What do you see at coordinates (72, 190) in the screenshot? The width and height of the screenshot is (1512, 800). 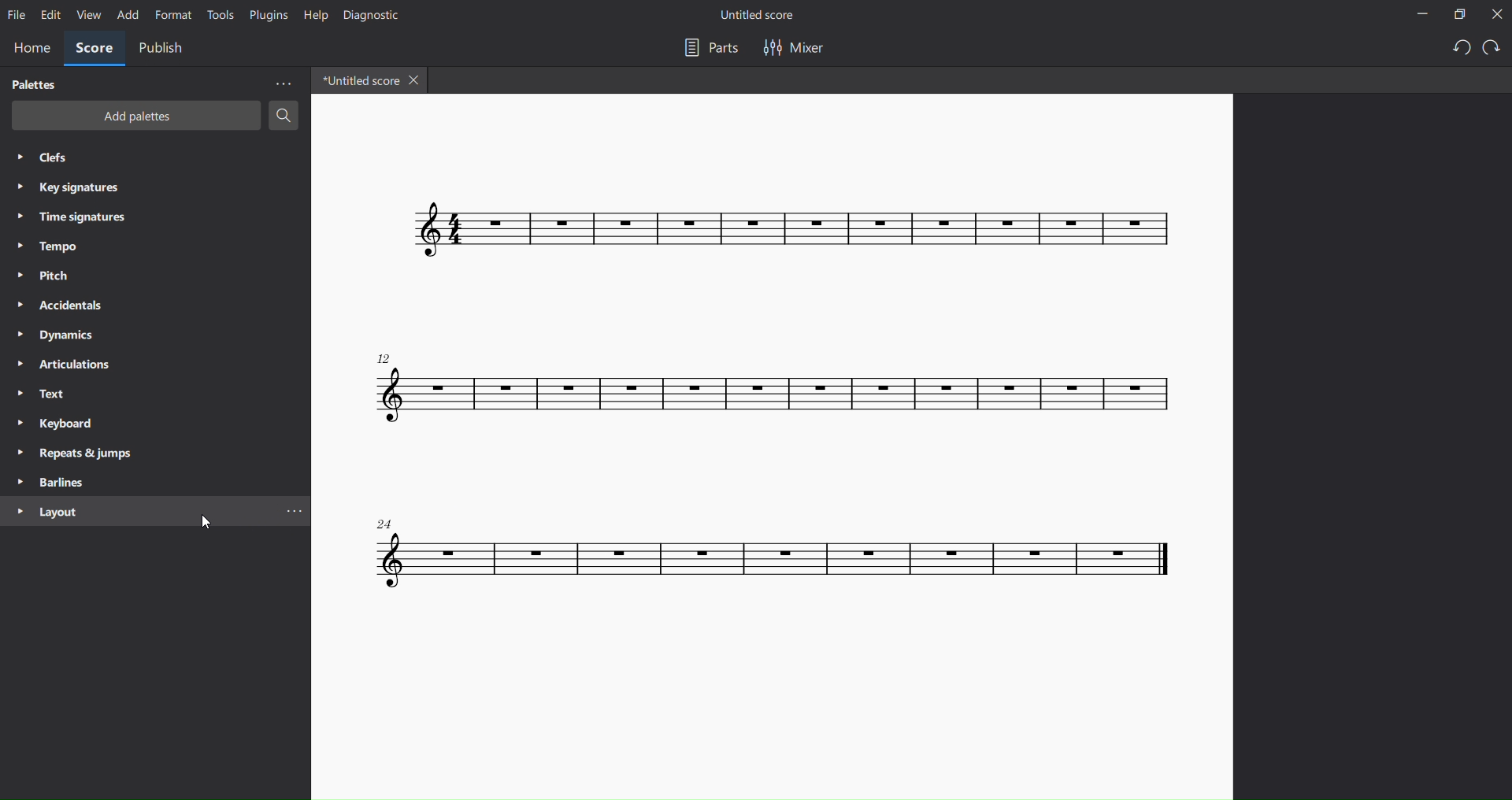 I see `key signatures` at bounding box center [72, 190].